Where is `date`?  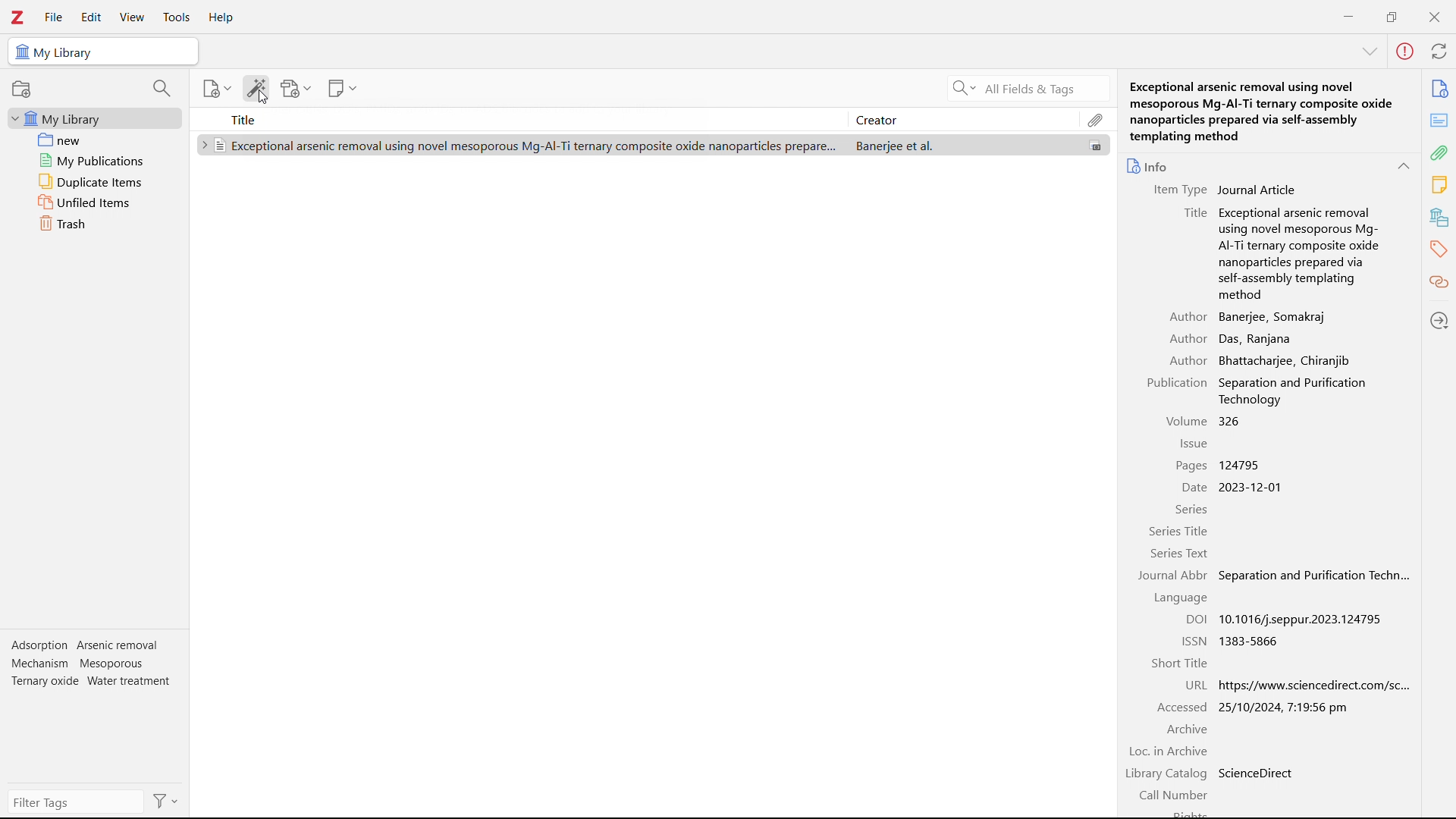
date is located at coordinates (1191, 488).